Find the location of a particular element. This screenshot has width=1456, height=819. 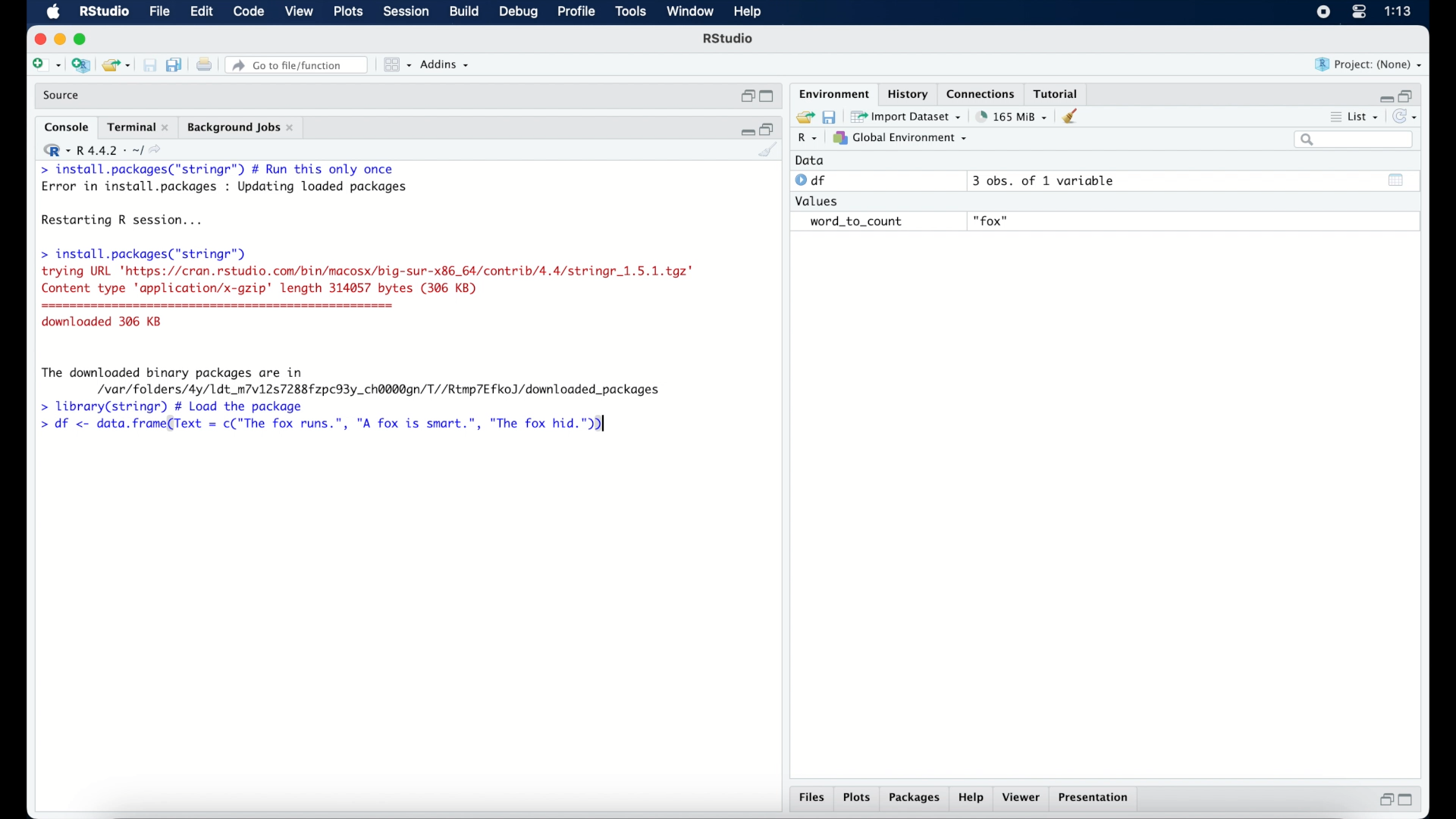

background jobs is located at coordinates (242, 129).